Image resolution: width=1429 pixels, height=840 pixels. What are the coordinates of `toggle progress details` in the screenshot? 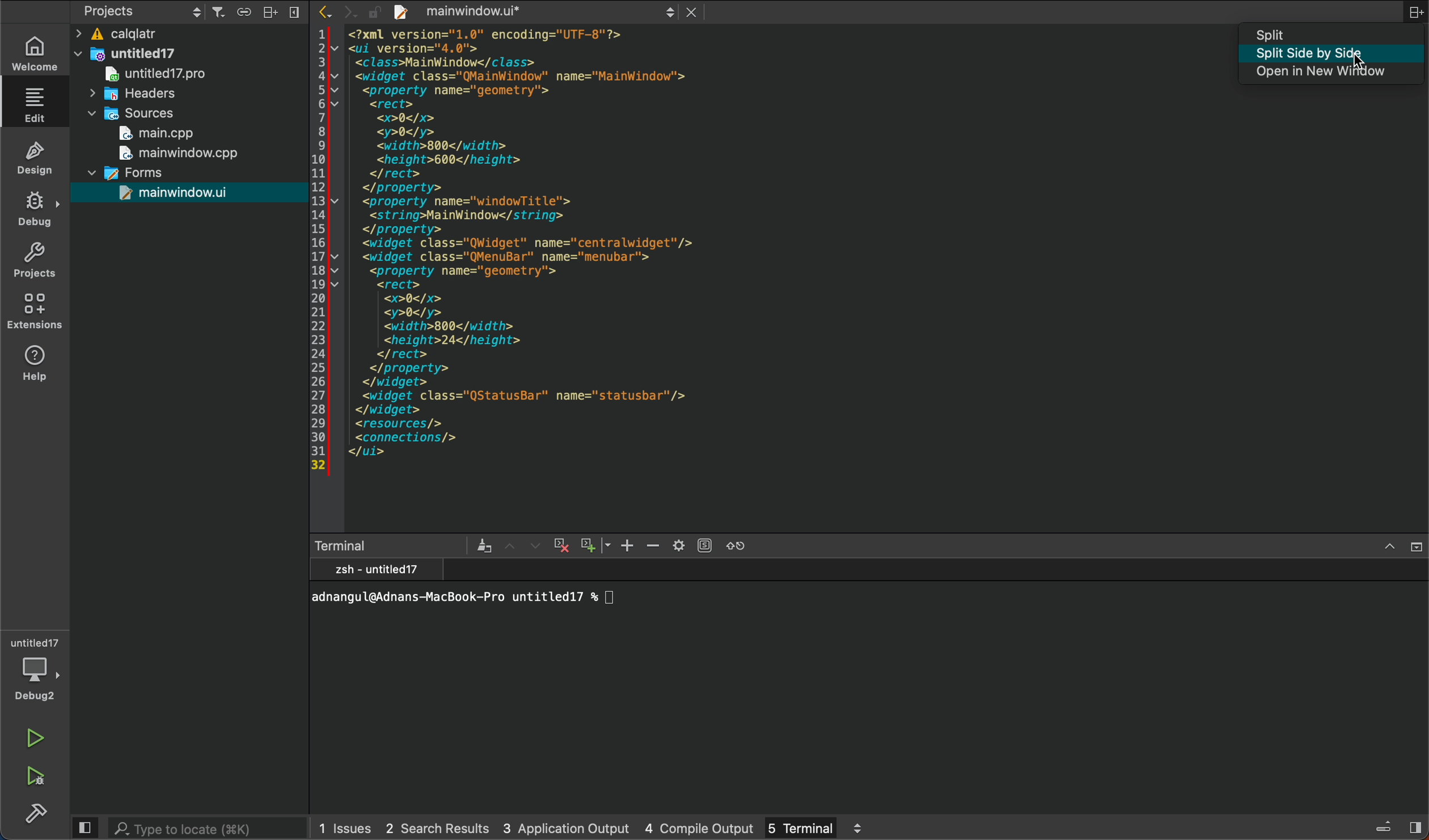 It's located at (1384, 828).